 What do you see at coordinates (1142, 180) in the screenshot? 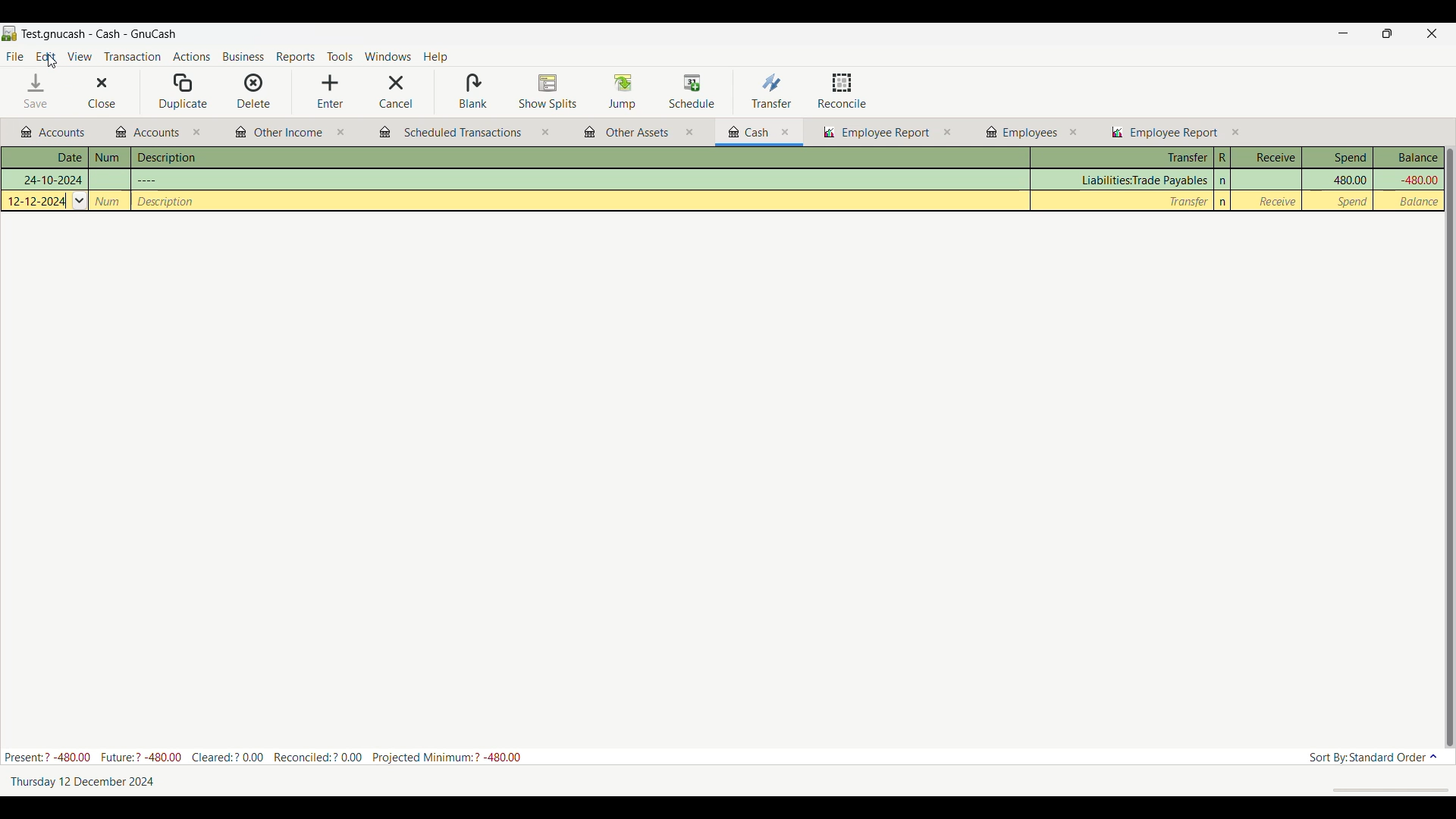
I see `Transfer column` at bounding box center [1142, 180].